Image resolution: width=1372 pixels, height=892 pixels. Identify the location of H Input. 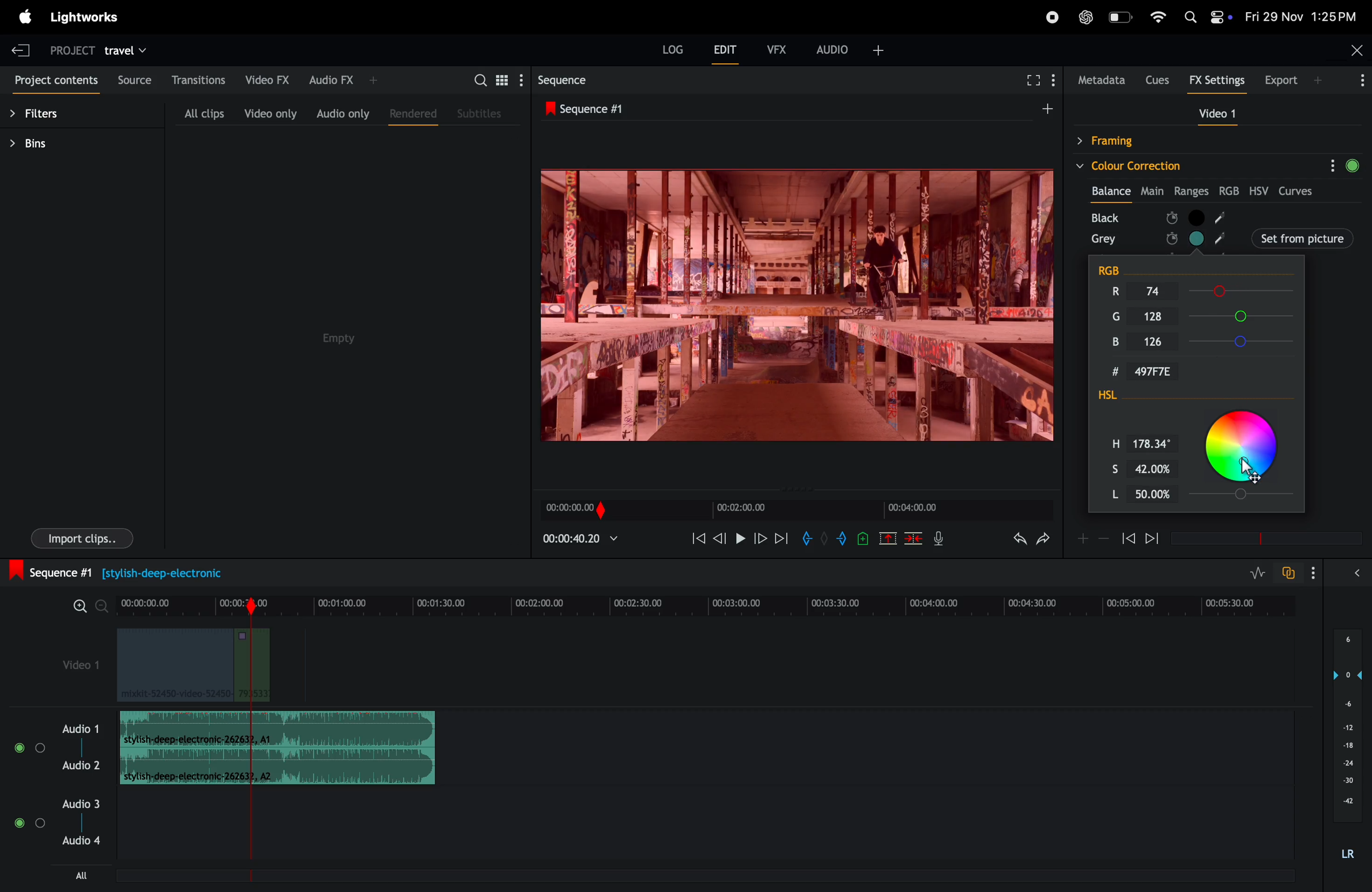
(1155, 442).